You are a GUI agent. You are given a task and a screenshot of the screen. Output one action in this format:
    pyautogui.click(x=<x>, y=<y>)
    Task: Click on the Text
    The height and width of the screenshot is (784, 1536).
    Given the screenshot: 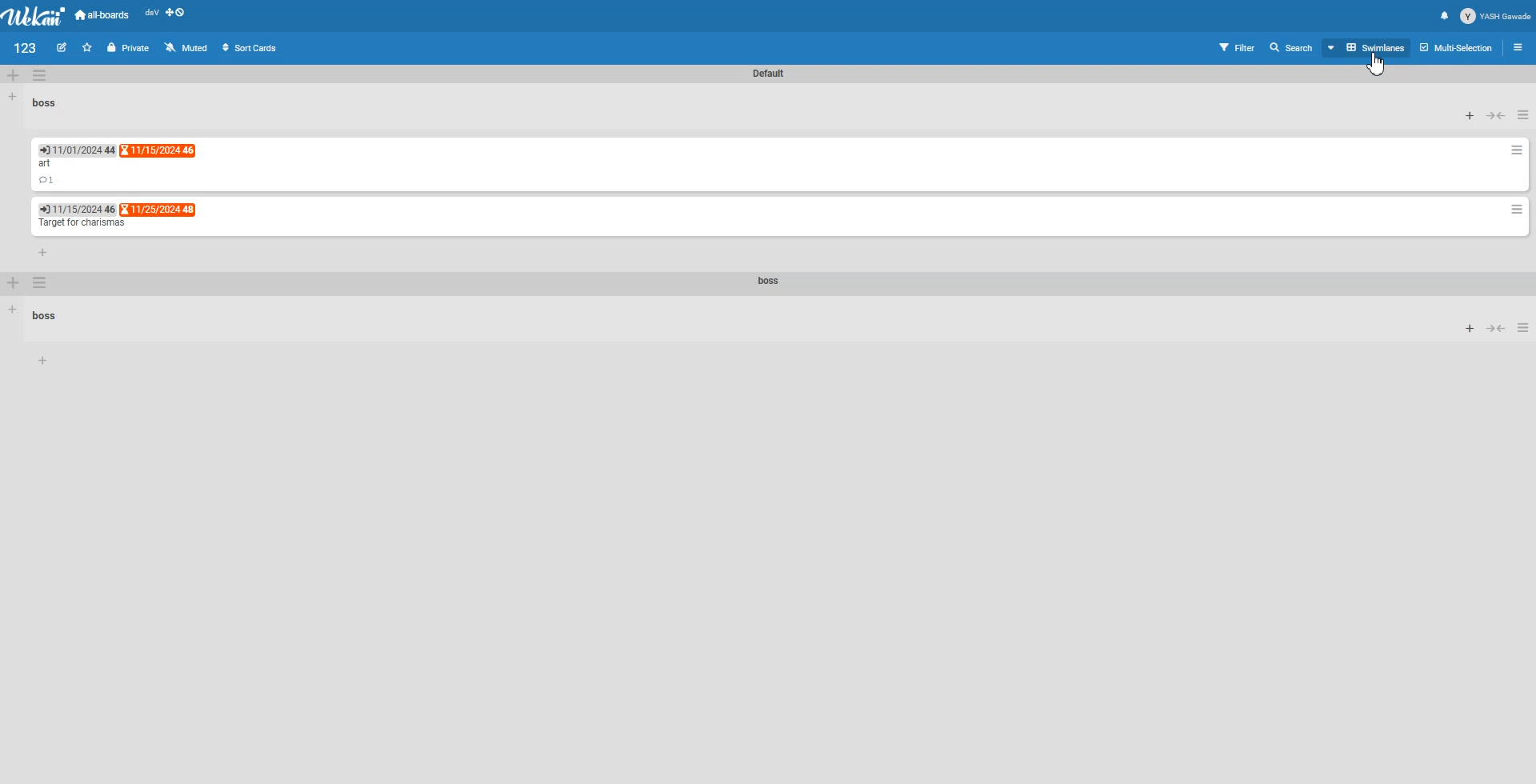 What is the action you would take?
    pyautogui.click(x=82, y=223)
    